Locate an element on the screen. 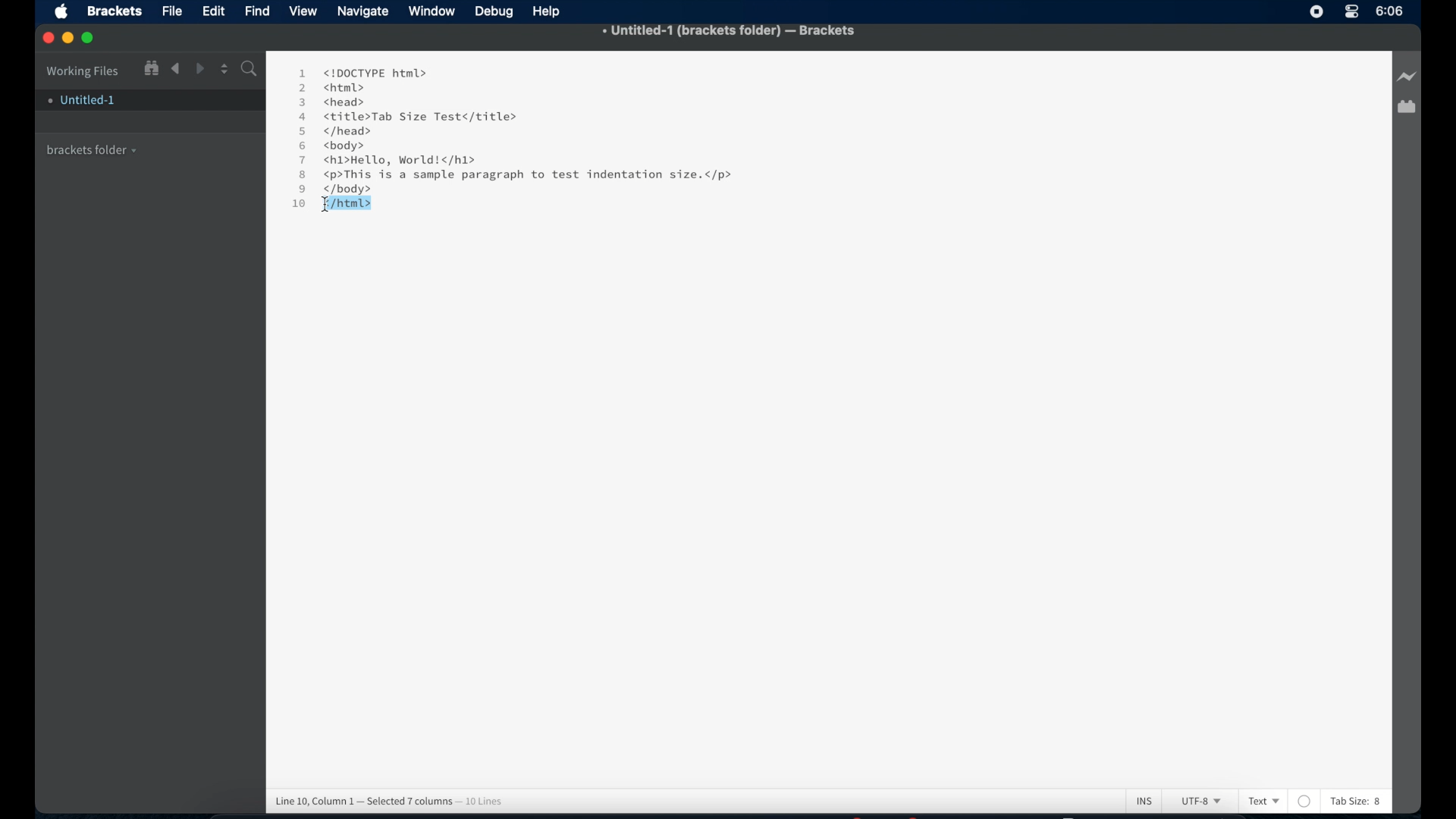 Image resolution: width=1456 pixels, height=819 pixels. File is located at coordinates (172, 12).